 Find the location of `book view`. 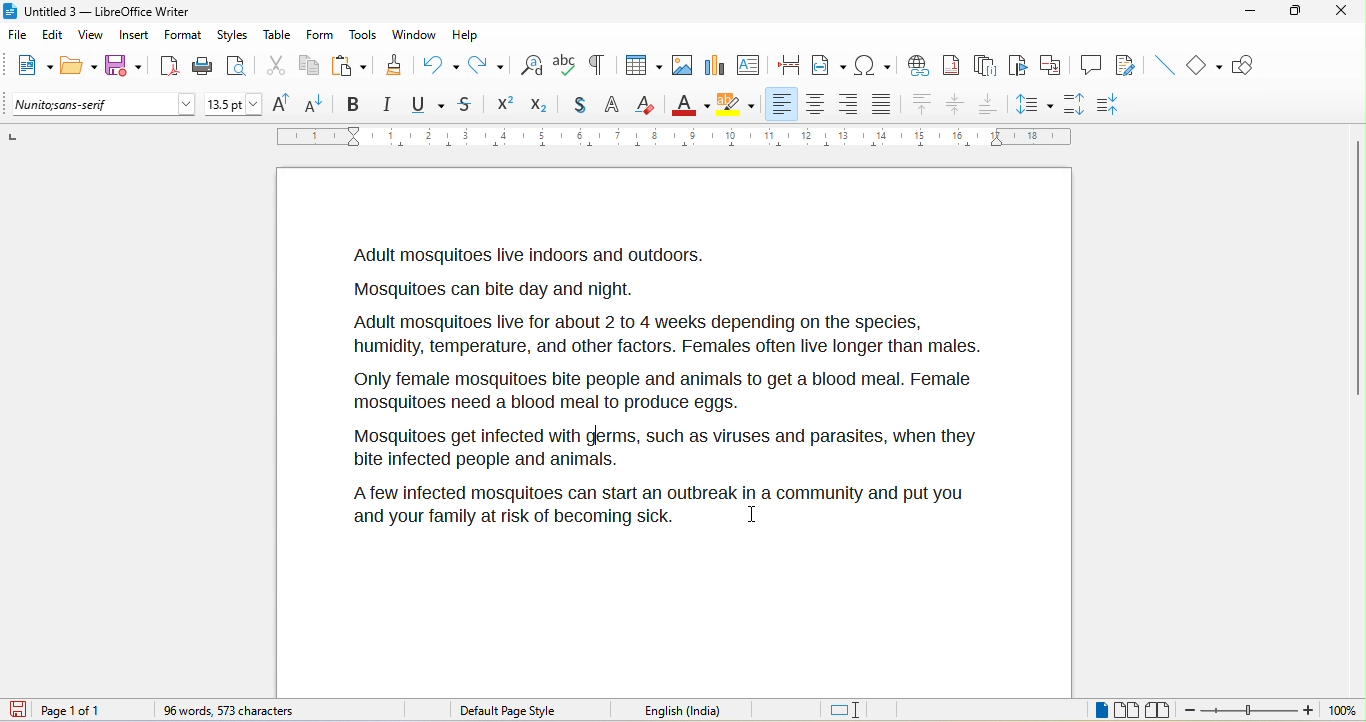

book view is located at coordinates (1157, 709).